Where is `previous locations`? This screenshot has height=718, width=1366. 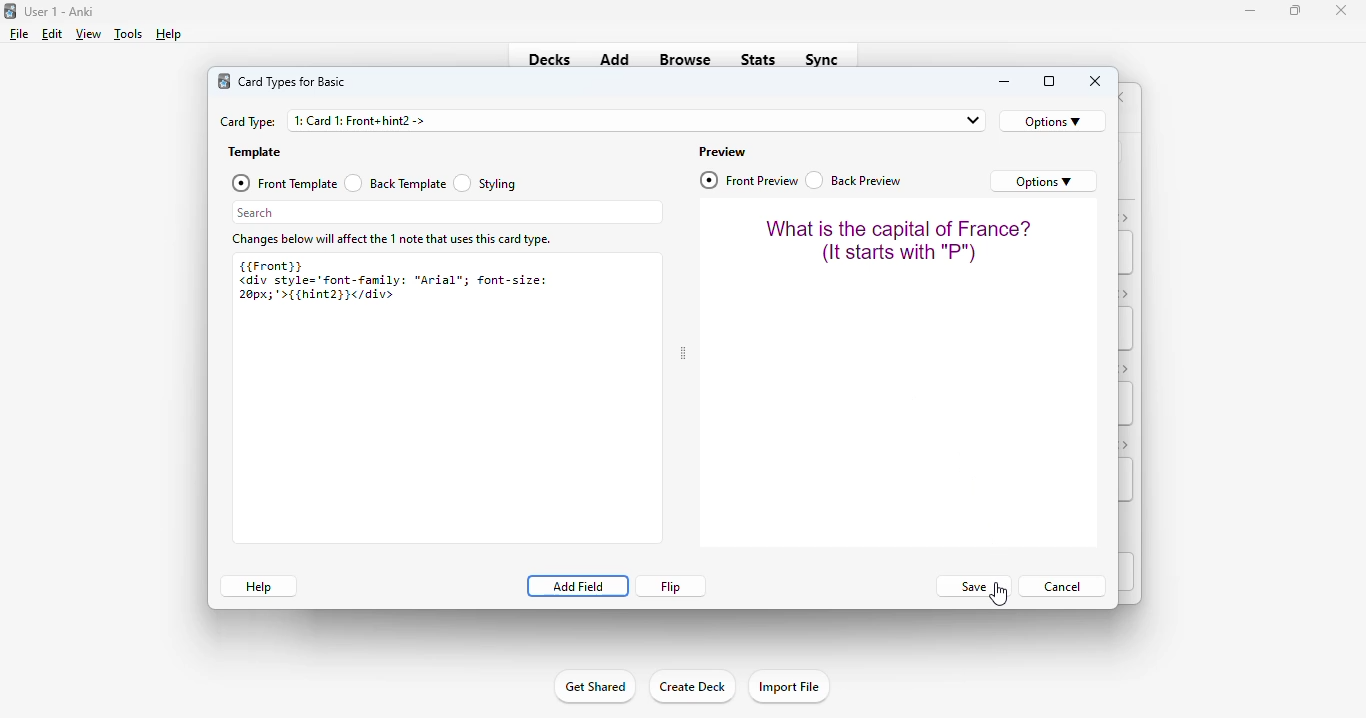 previous locations is located at coordinates (971, 121).